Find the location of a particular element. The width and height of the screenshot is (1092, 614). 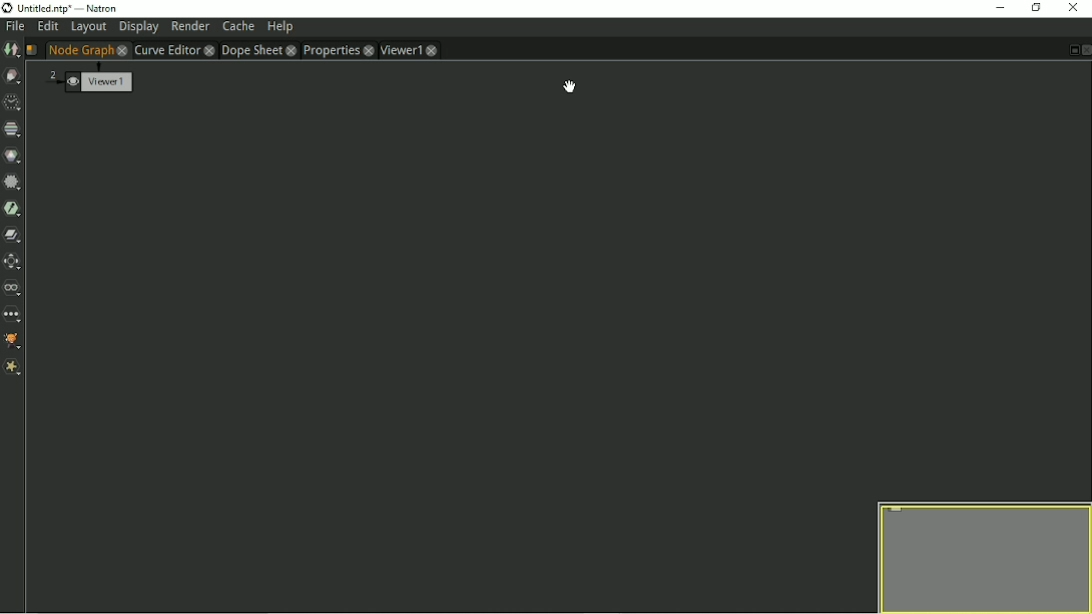

Transform is located at coordinates (14, 262).